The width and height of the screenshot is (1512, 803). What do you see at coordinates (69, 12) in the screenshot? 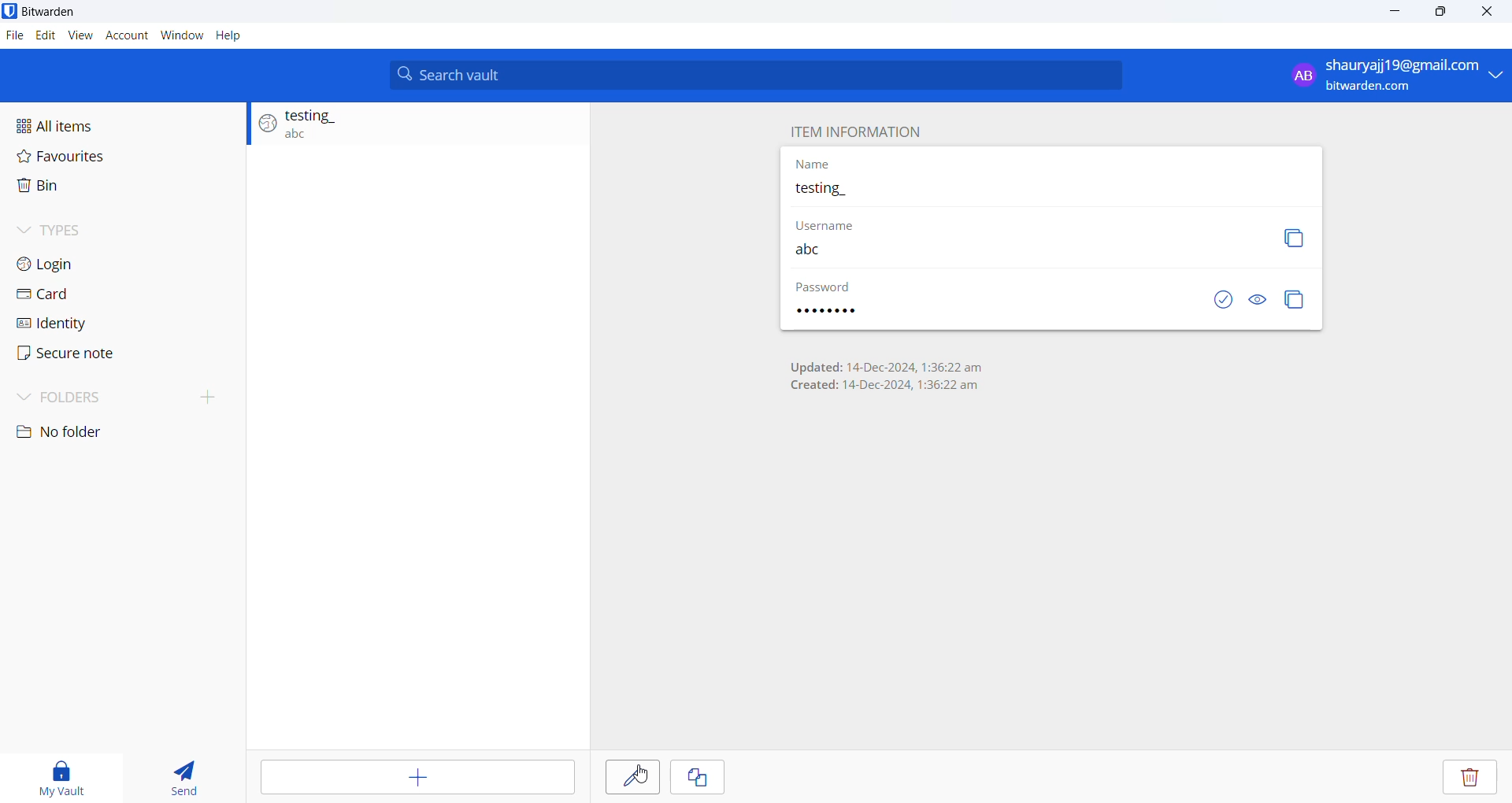
I see `Application name ` at bounding box center [69, 12].